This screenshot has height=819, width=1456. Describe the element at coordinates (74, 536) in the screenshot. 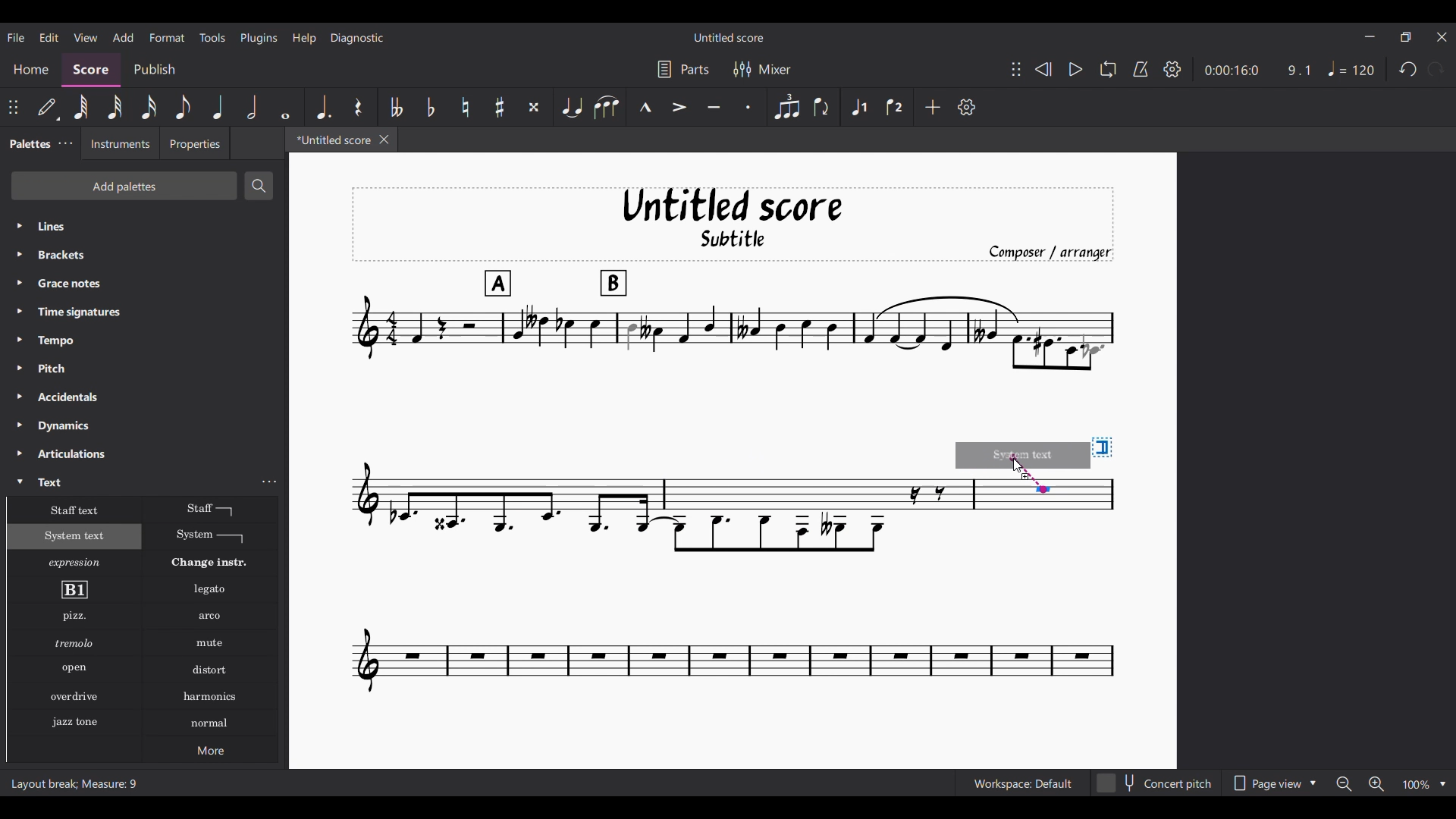

I see `System text, highlighted as current selection` at that location.